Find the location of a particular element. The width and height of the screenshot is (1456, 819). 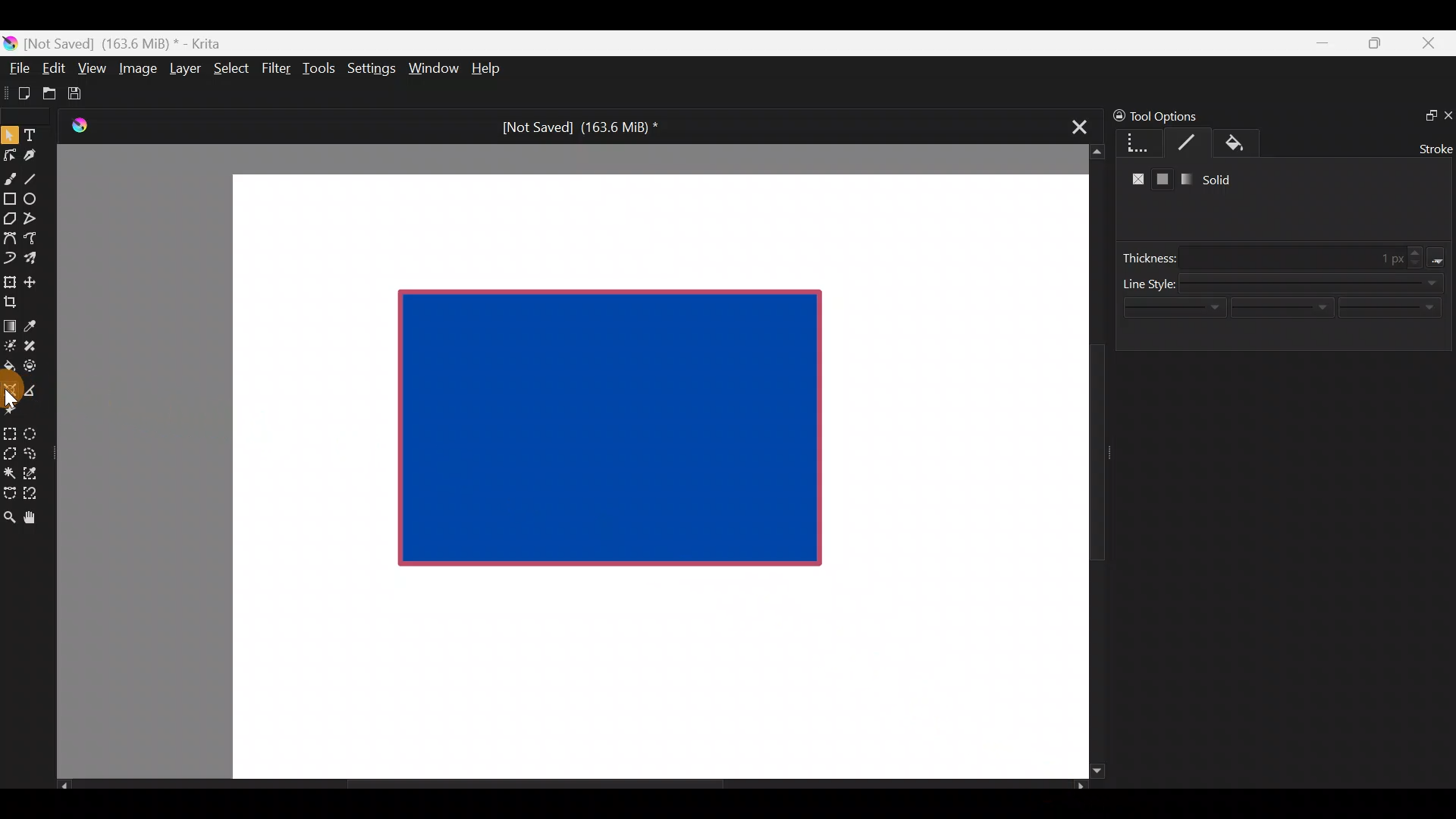

Polygon tool is located at coordinates (9, 219).